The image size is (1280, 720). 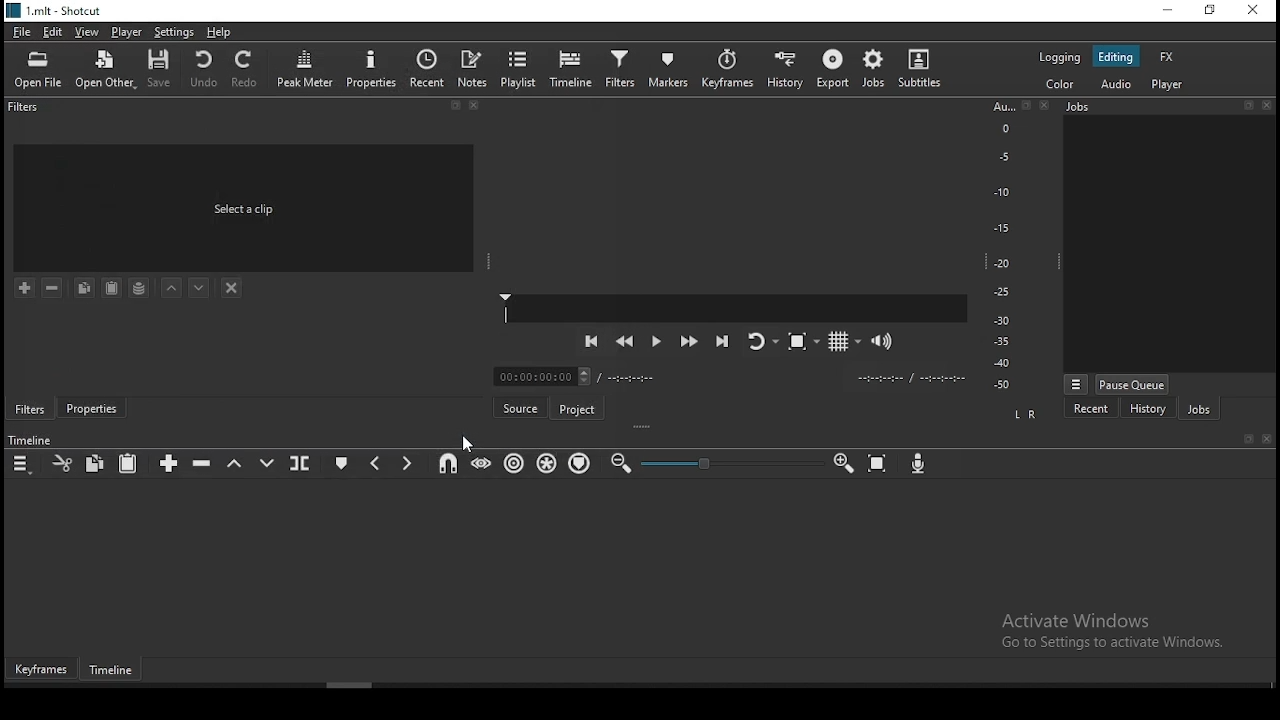 What do you see at coordinates (220, 32) in the screenshot?
I see `help` at bounding box center [220, 32].